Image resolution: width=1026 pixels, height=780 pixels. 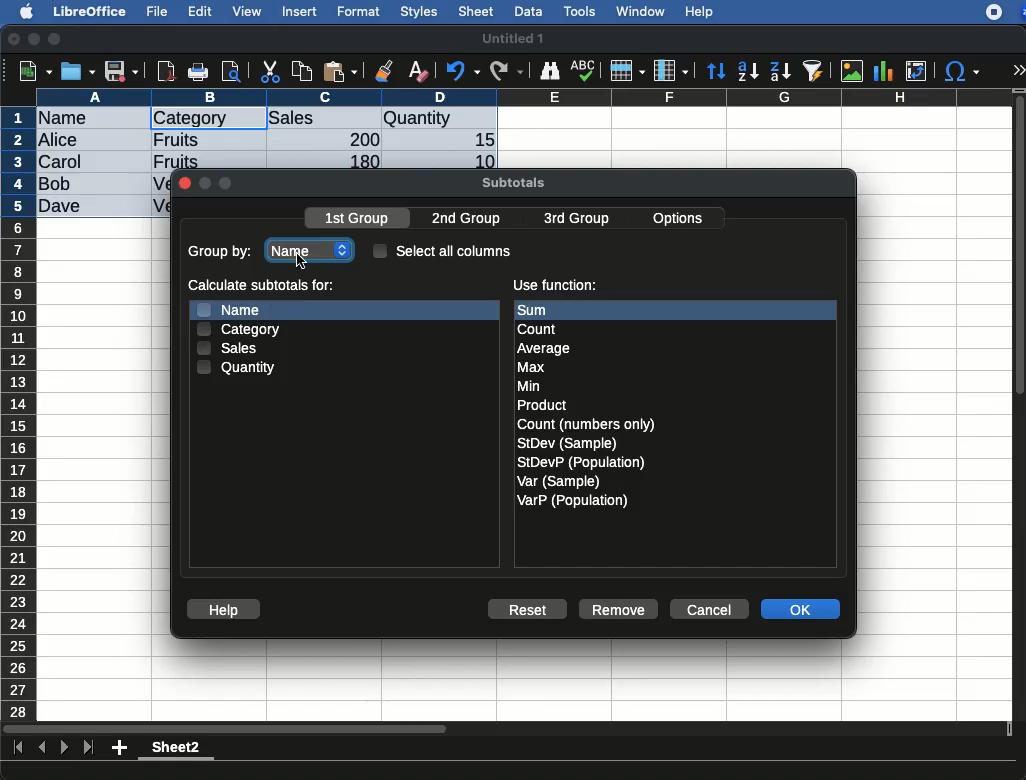 I want to click on close, so click(x=15, y=41).